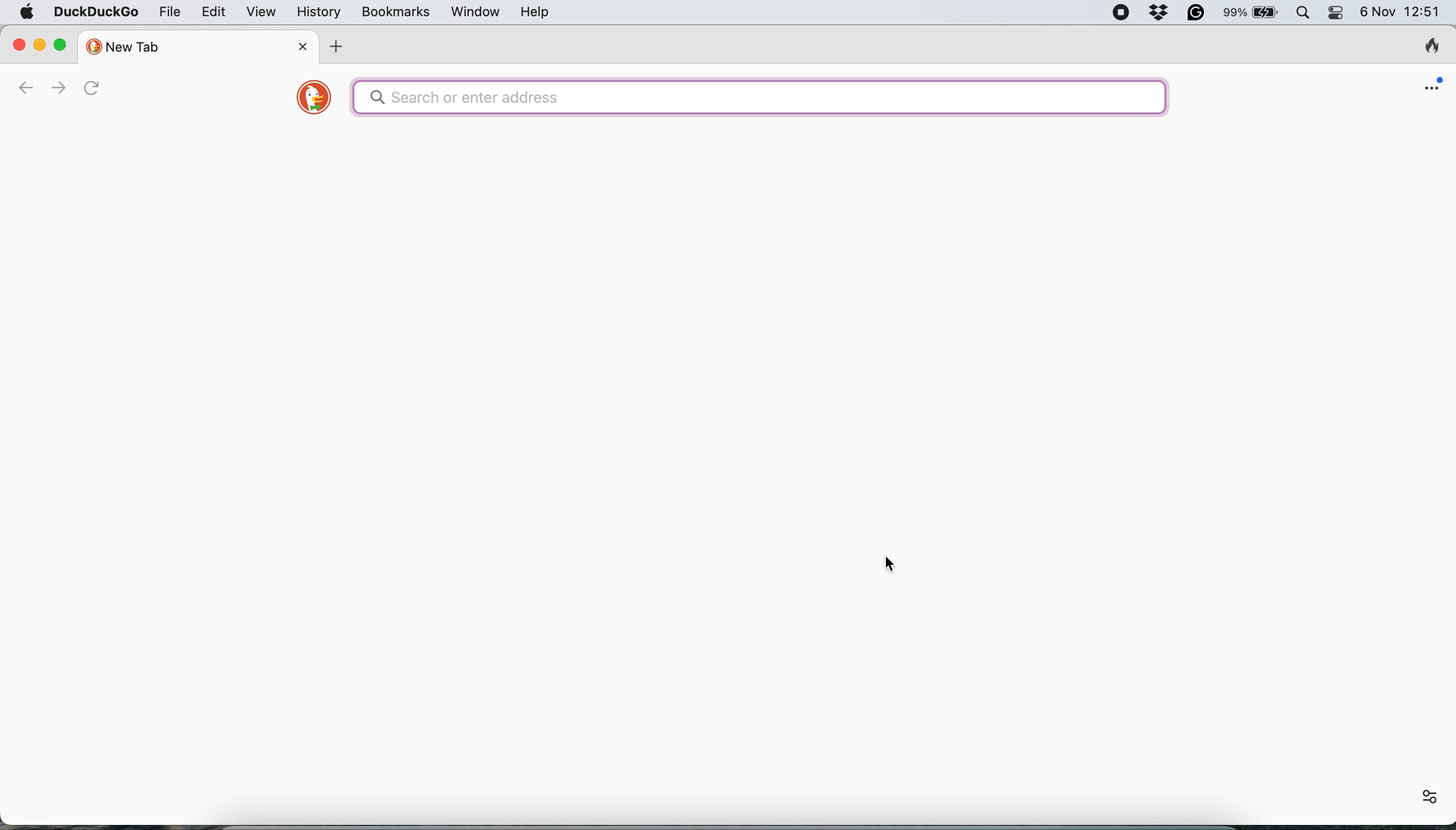  Describe the element at coordinates (1157, 13) in the screenshot. I see `dropbox` at that location.